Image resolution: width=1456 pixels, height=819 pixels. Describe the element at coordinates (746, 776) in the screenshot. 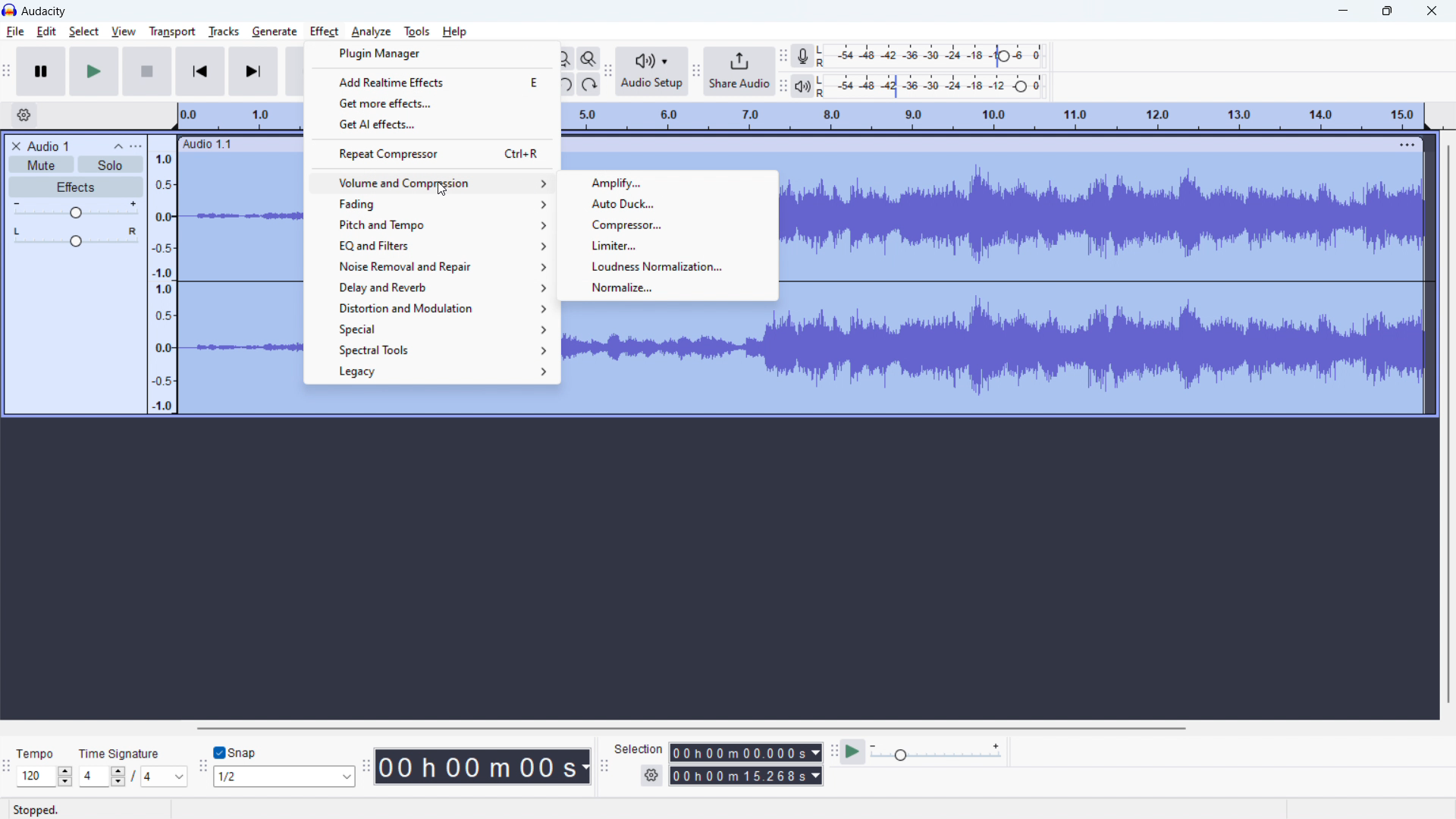

I see `00h00m15.268s (end time)` at that location.